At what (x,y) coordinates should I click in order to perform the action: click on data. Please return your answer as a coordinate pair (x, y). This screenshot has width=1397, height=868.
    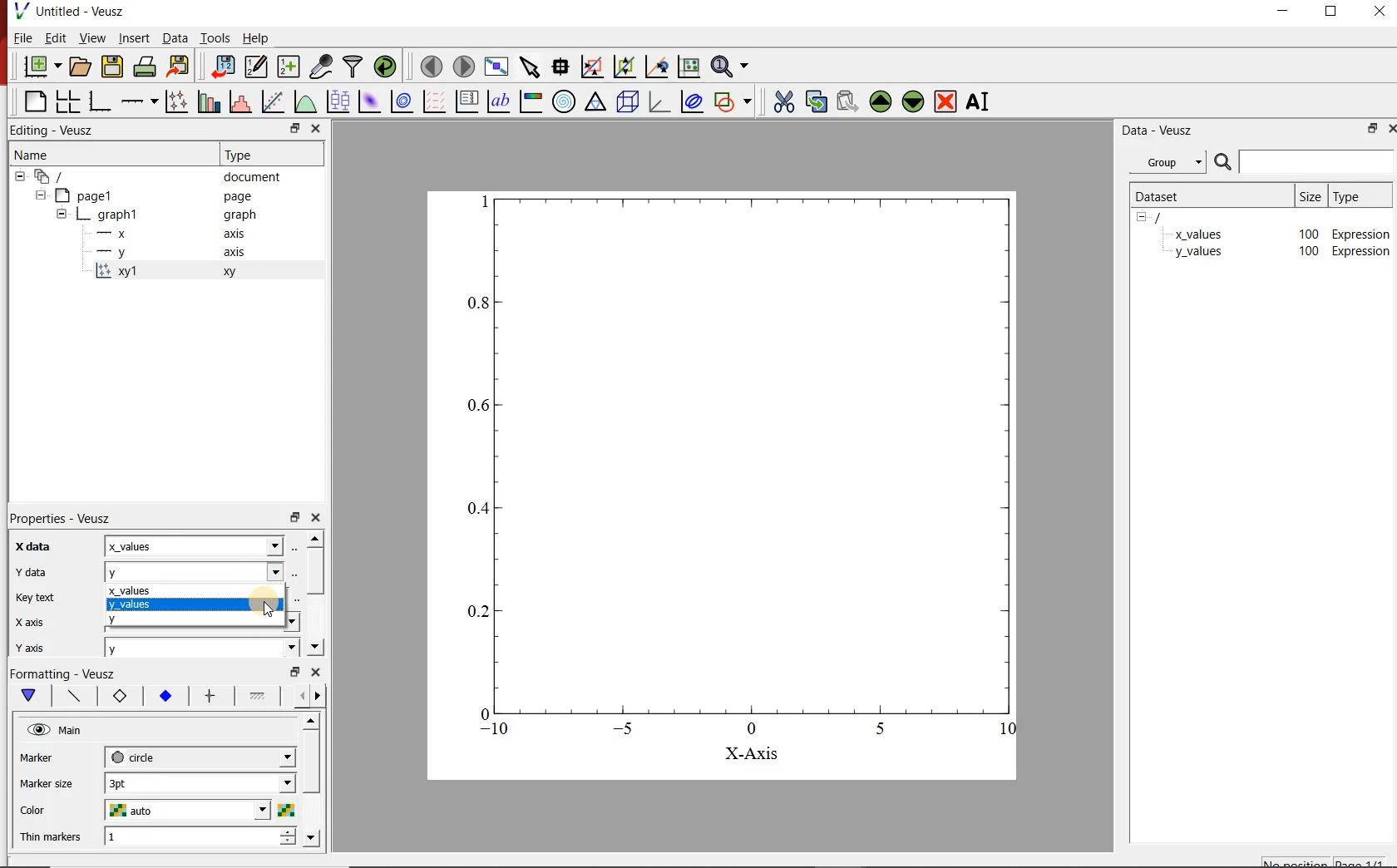
    Looking at the image, I should click on (175, 37).